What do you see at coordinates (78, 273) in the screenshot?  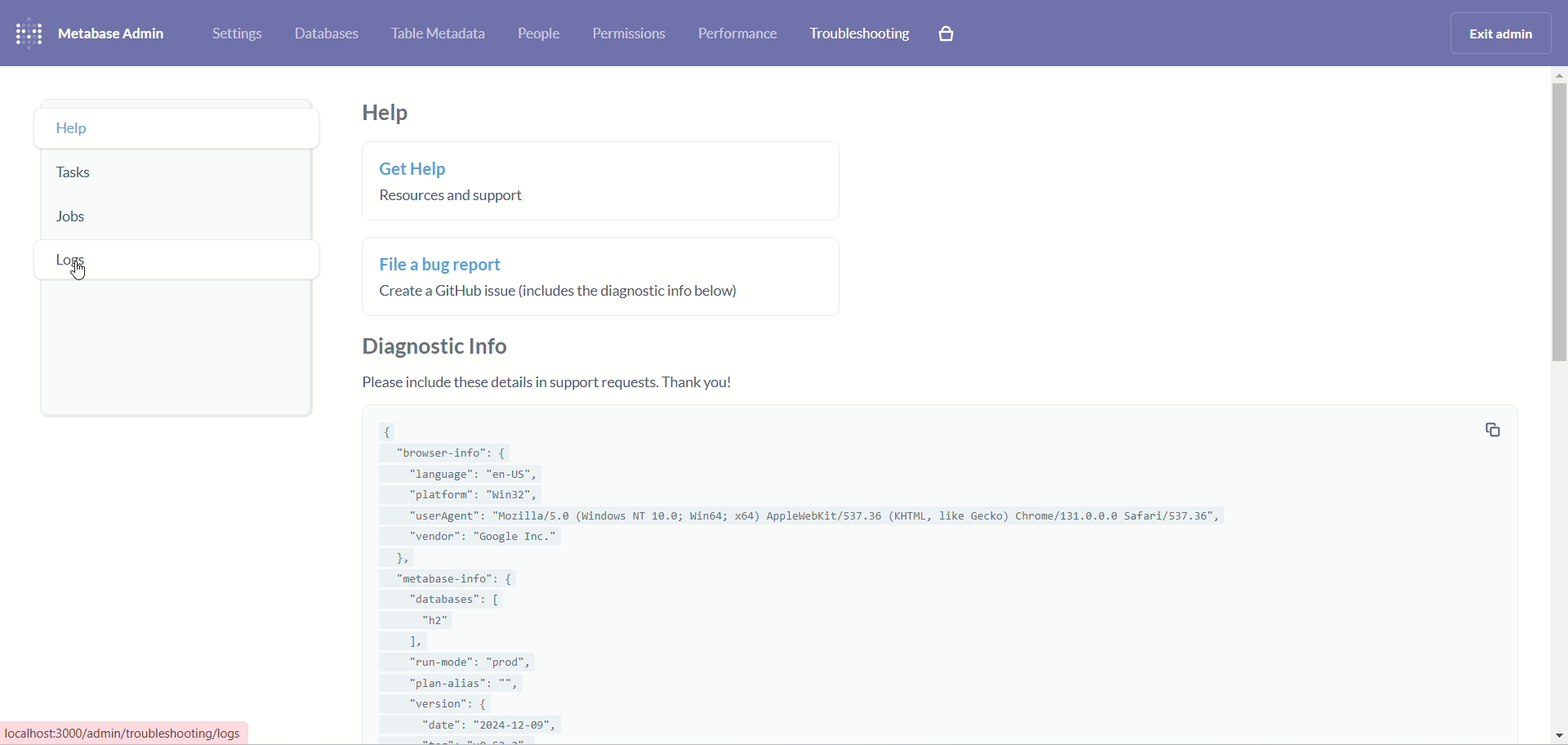 I see `cursor` at bounding box center [78, 273].